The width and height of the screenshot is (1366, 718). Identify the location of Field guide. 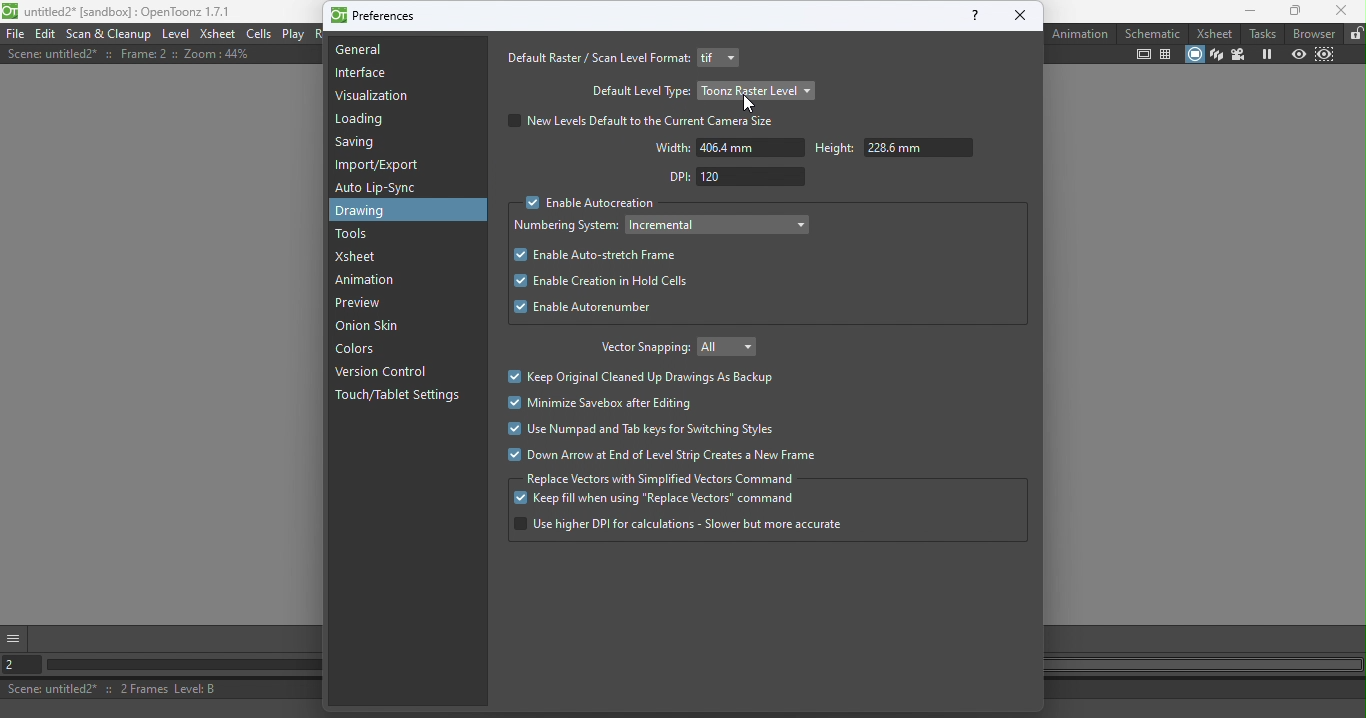
(1166, 55).